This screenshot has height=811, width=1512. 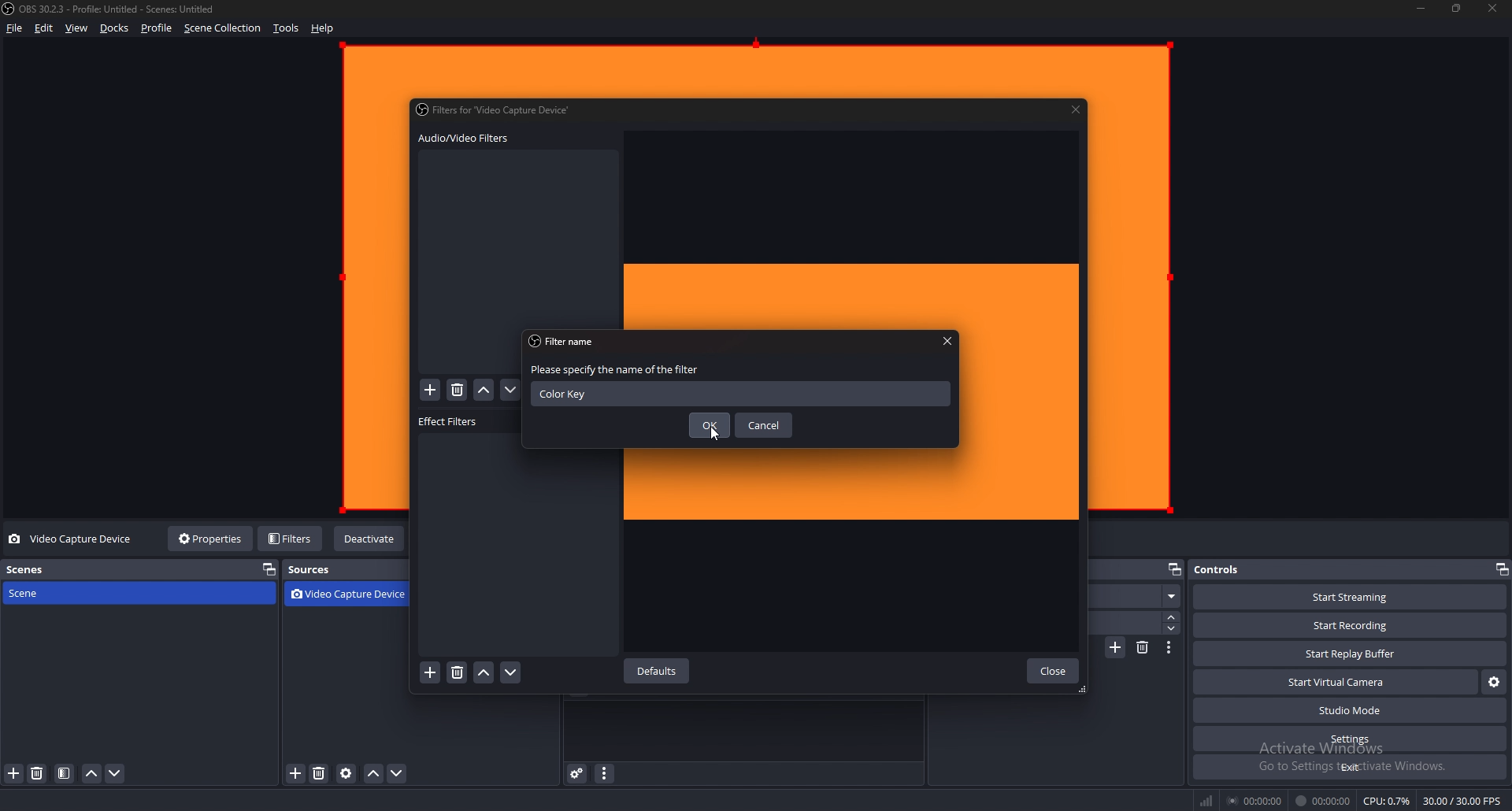 What do you see at coordinates (77, 28) in the screenshot?
I see `view` at bounding box center [77, 28].